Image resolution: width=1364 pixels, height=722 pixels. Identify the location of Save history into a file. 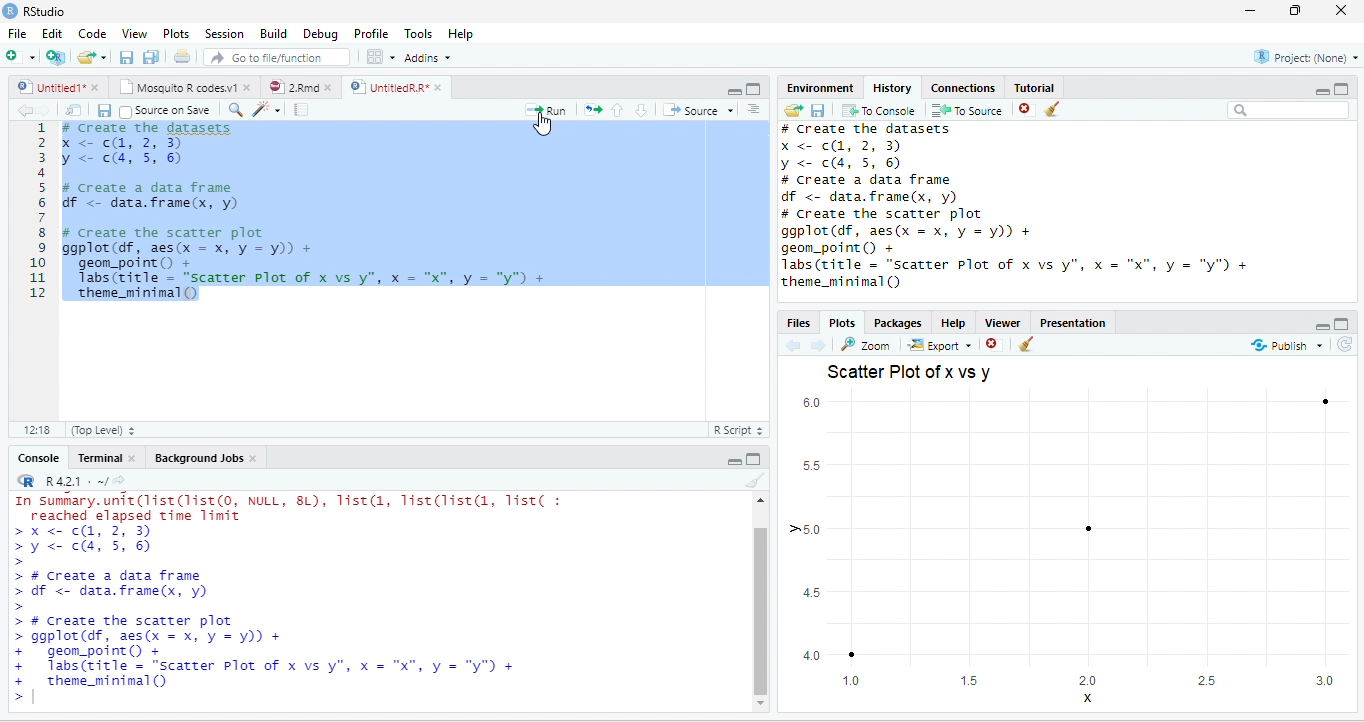
(818, 111).